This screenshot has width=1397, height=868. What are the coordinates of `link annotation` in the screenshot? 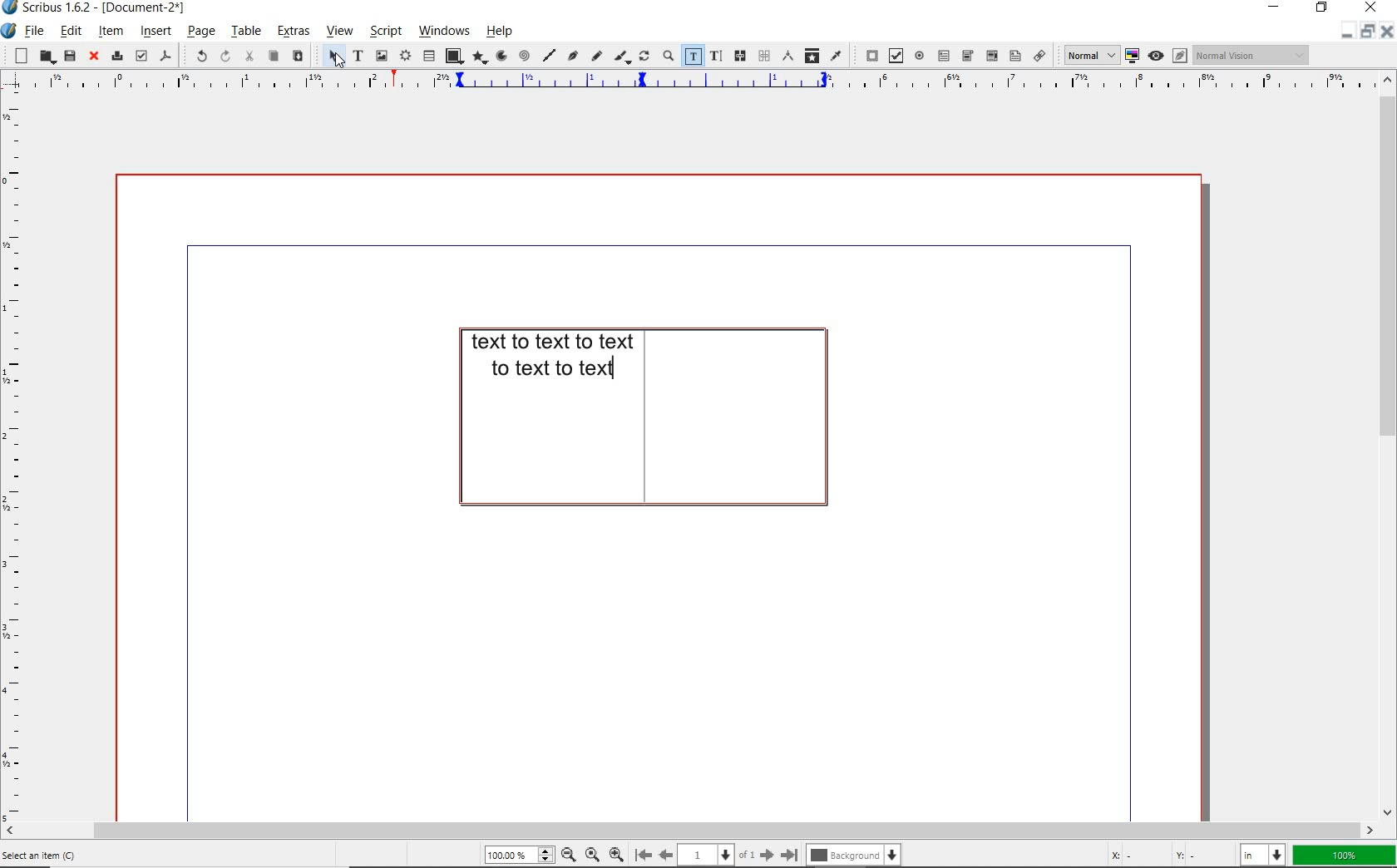 It's located at (1038, 55).